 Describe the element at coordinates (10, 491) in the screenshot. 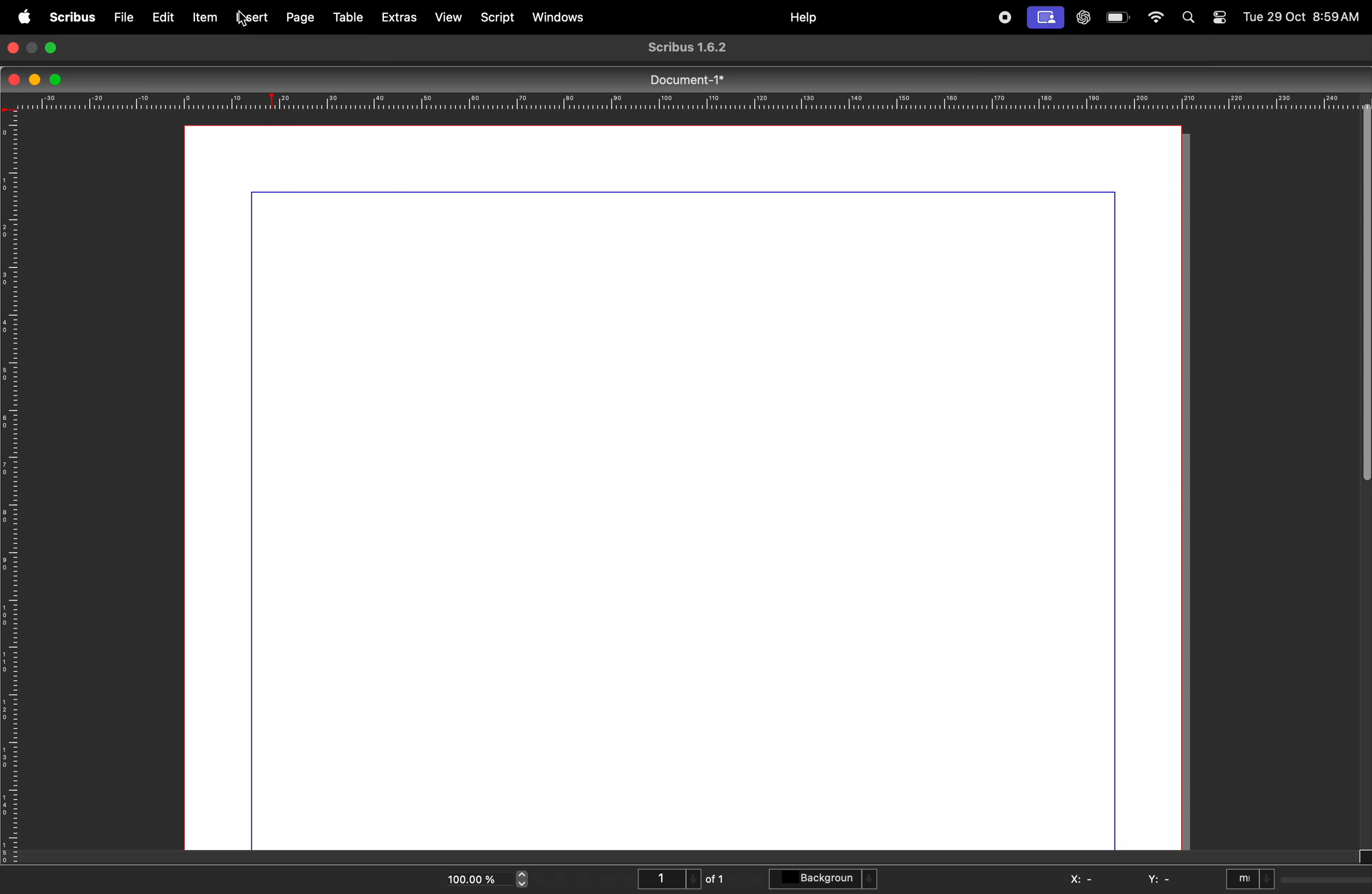

I see `vertical scale` at that location.